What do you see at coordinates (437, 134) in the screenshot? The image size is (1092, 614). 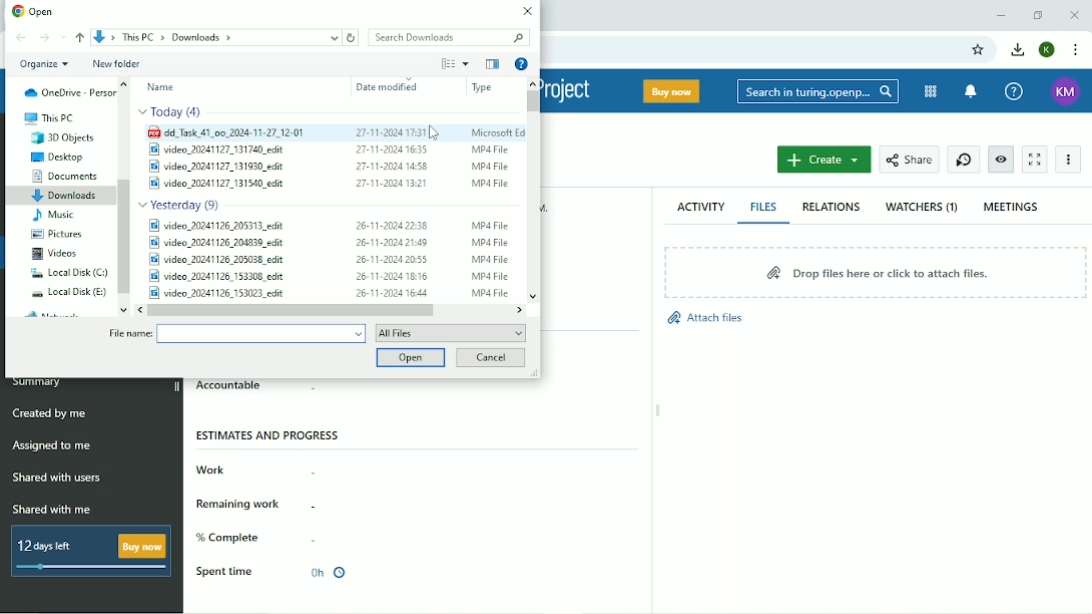 I see `cursor` at bounding box center [437, 134].